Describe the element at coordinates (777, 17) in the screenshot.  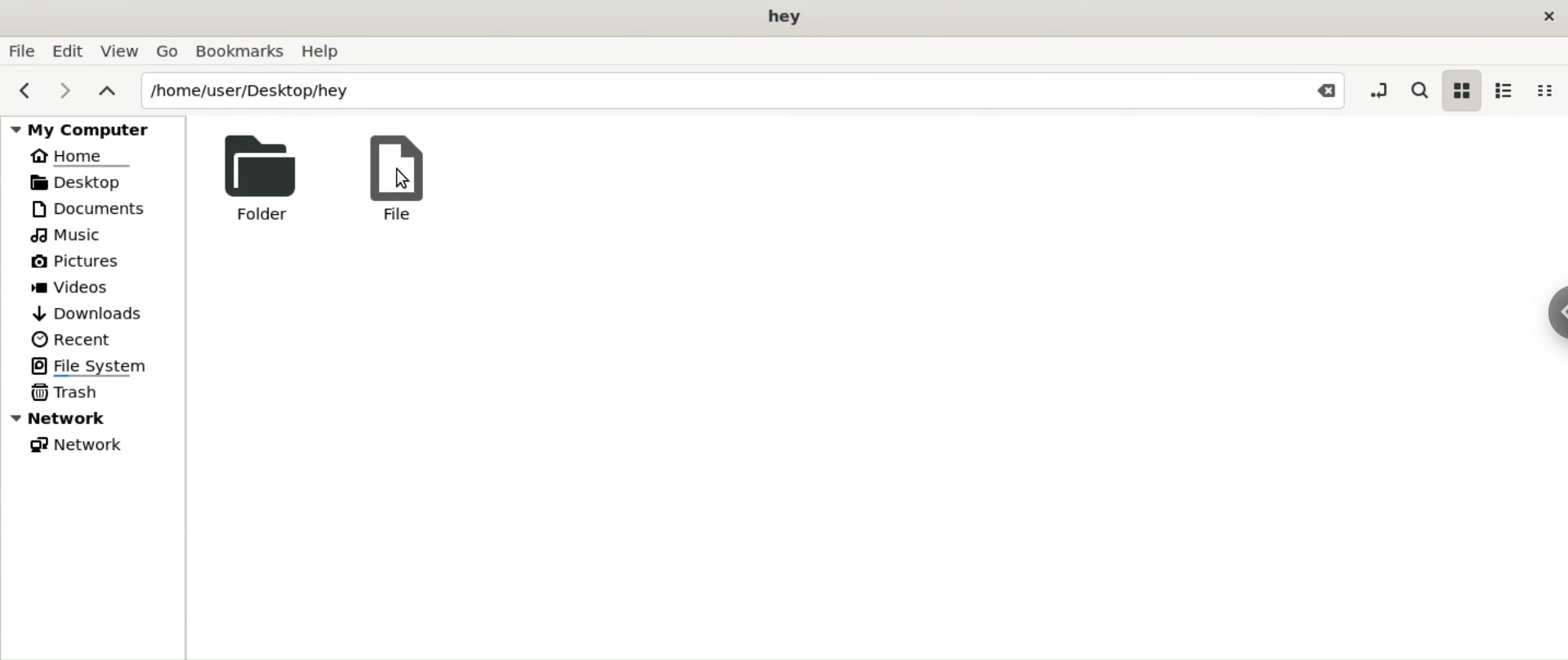
I see `hey` at that location.